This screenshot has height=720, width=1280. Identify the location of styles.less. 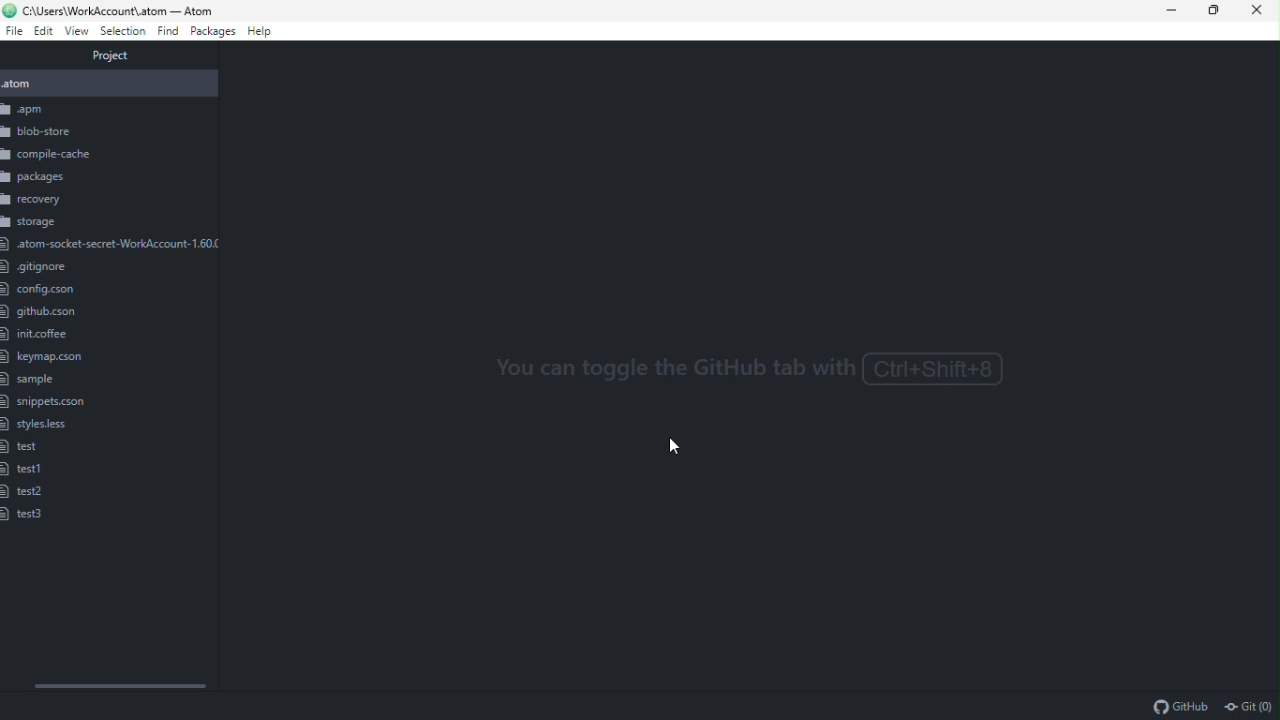
(37, 425).